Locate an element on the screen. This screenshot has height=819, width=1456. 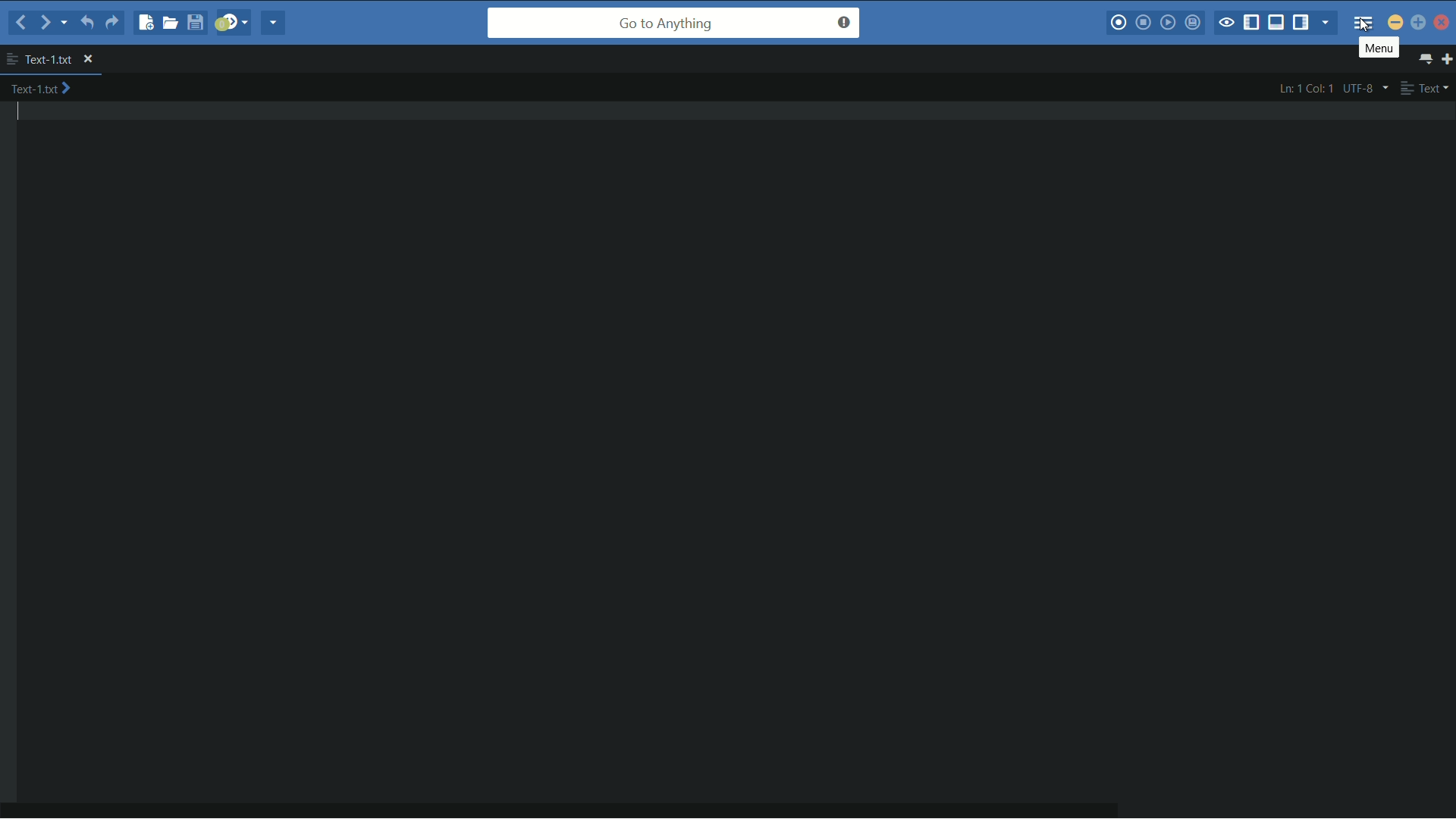
menu pop up is located at coordinates (1379, 47).